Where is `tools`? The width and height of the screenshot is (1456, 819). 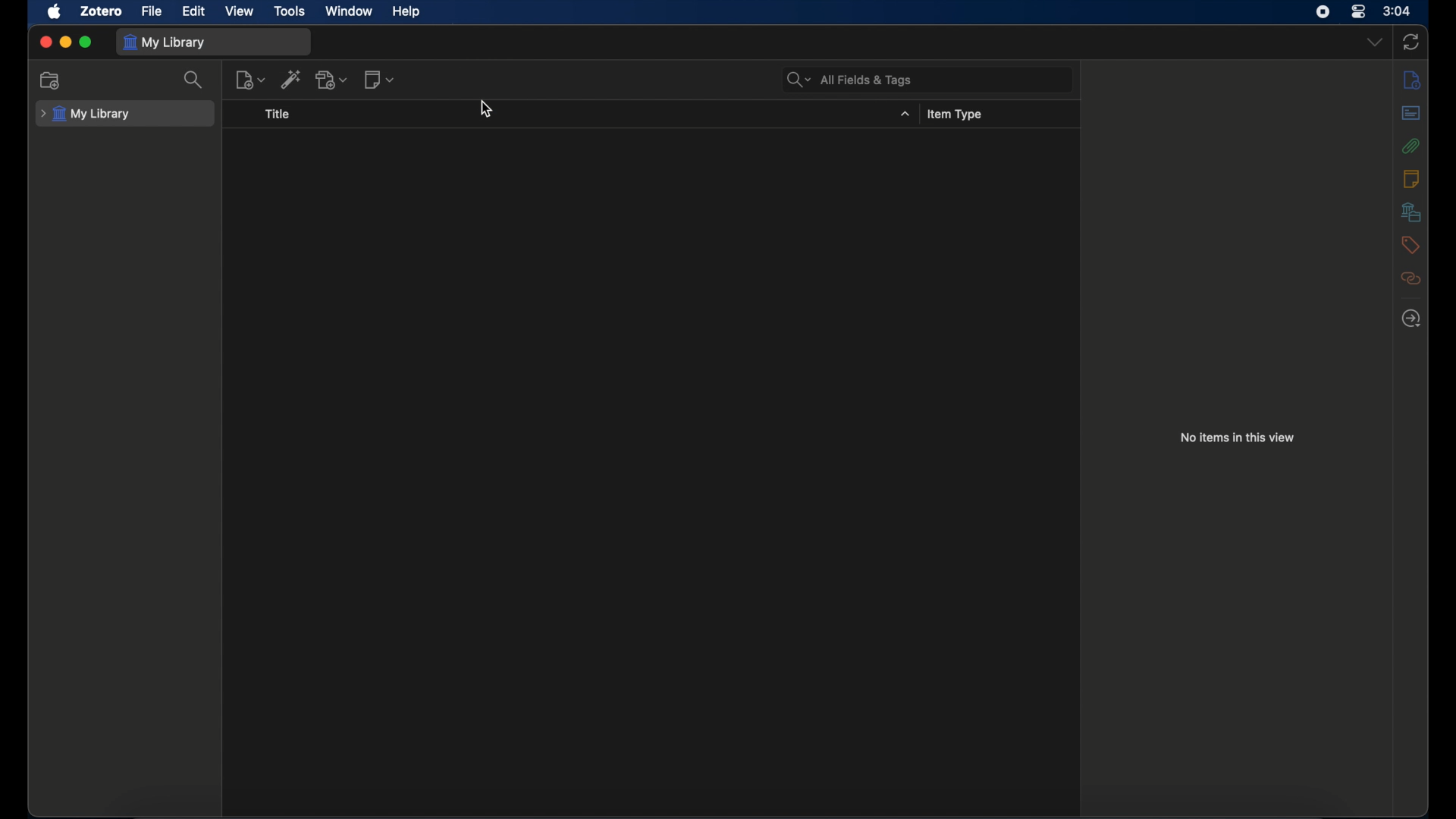 tools is located at coordinates (290, 11).